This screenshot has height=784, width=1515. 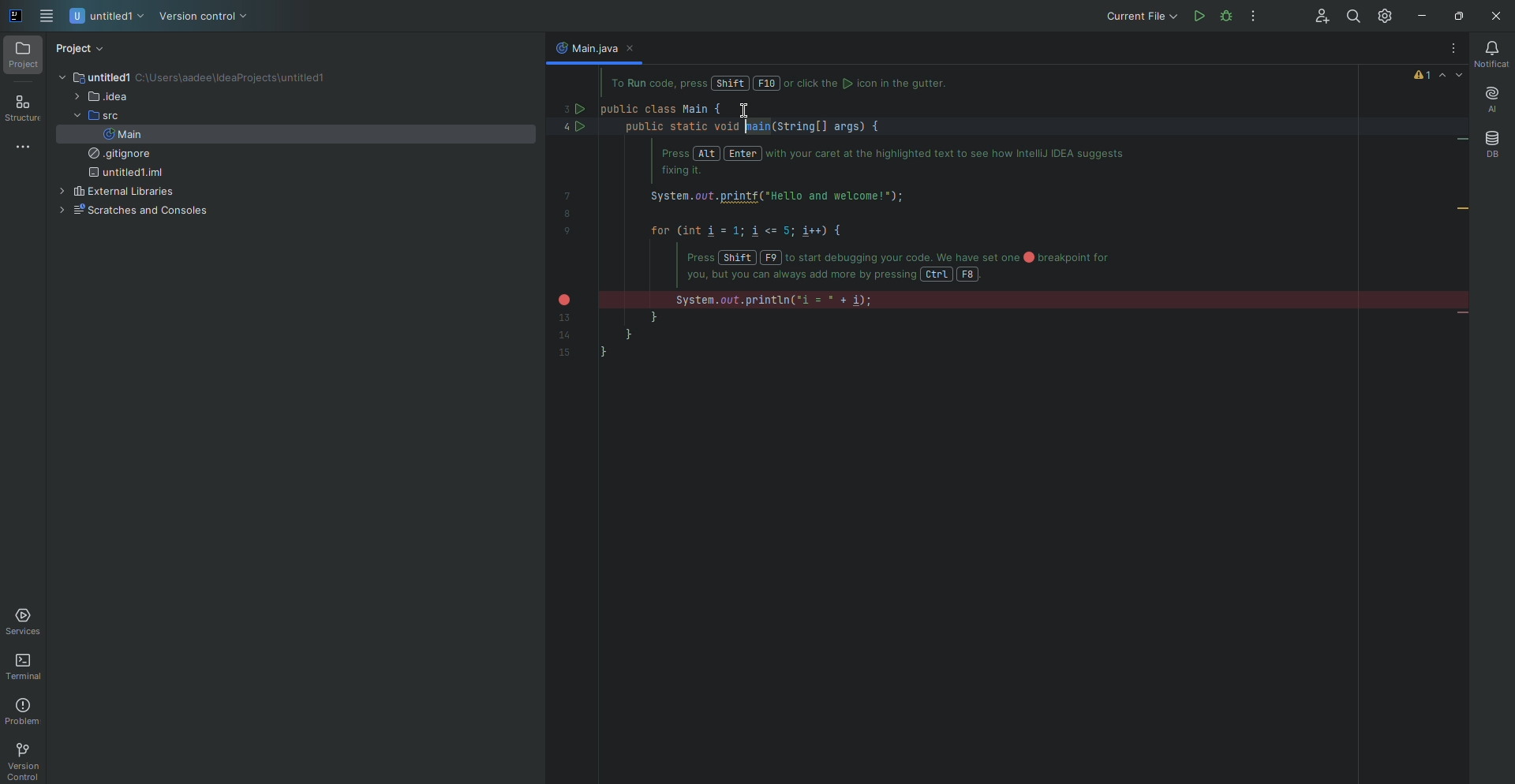 I want to click on Restore, so click(x=1456, y=16).